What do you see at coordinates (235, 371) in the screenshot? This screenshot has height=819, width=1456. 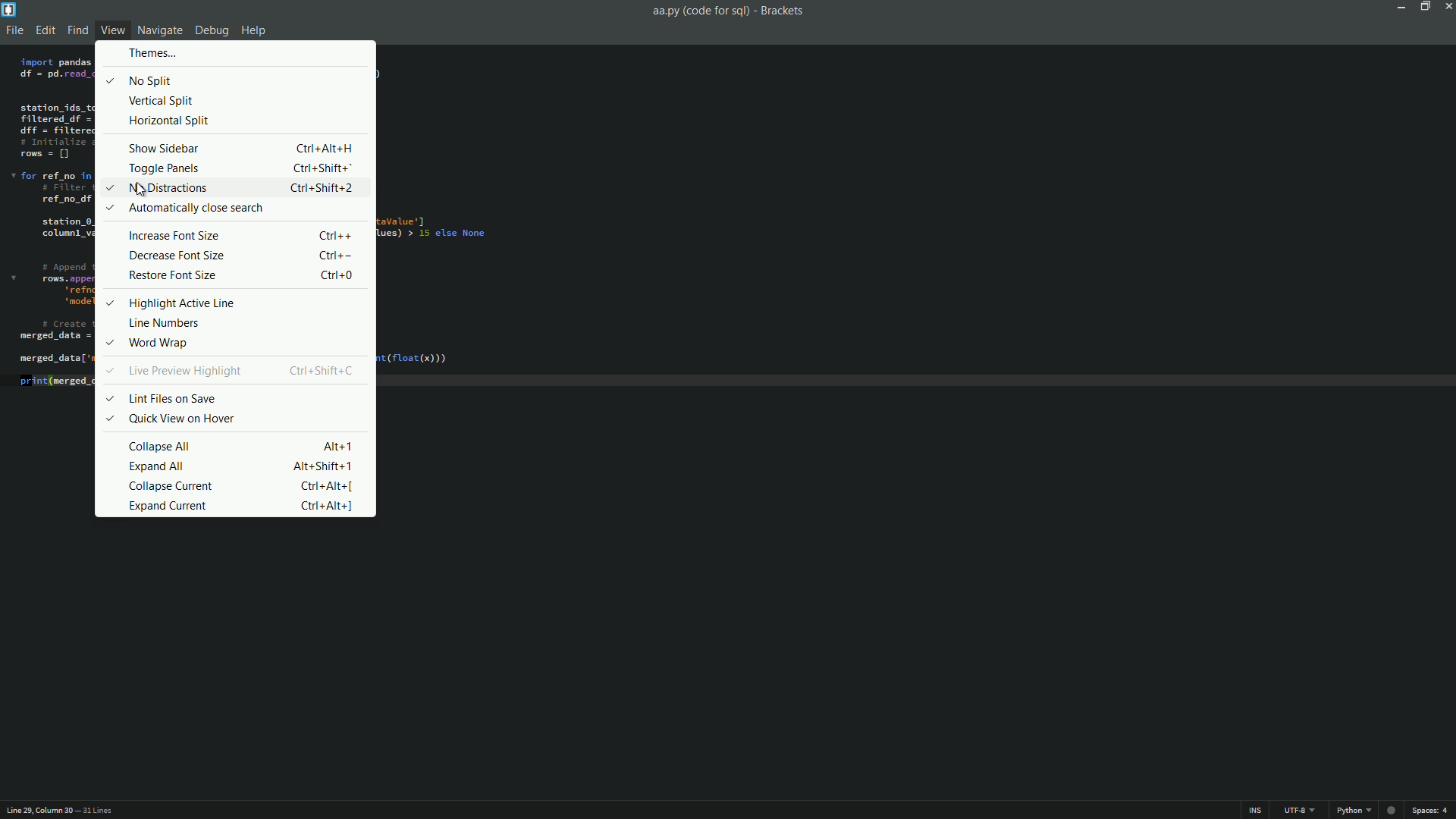 I see `Live preview highlight` at bounding box center [235, 371].